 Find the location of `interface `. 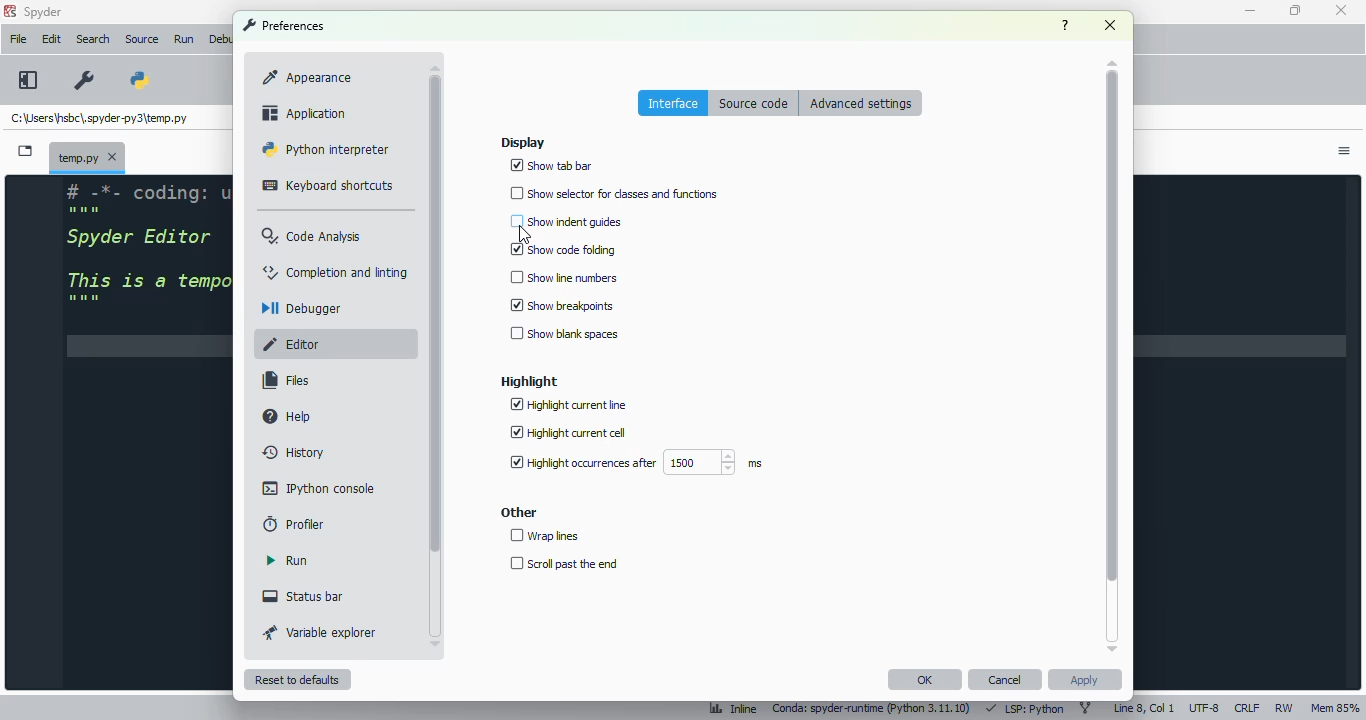

interface  is located at coordinates (673, 102).